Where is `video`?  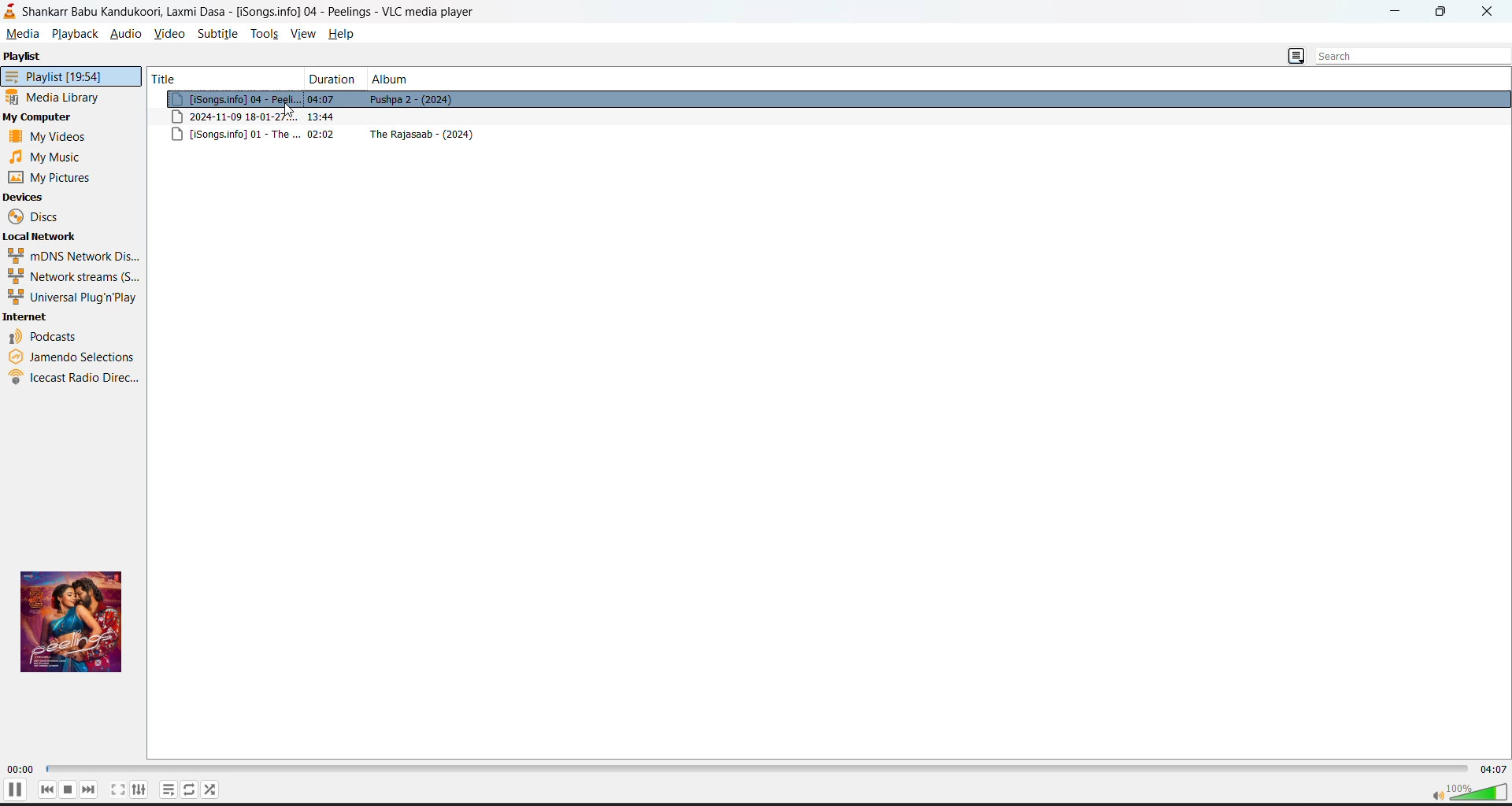
video is located at coordinates (169, 33).